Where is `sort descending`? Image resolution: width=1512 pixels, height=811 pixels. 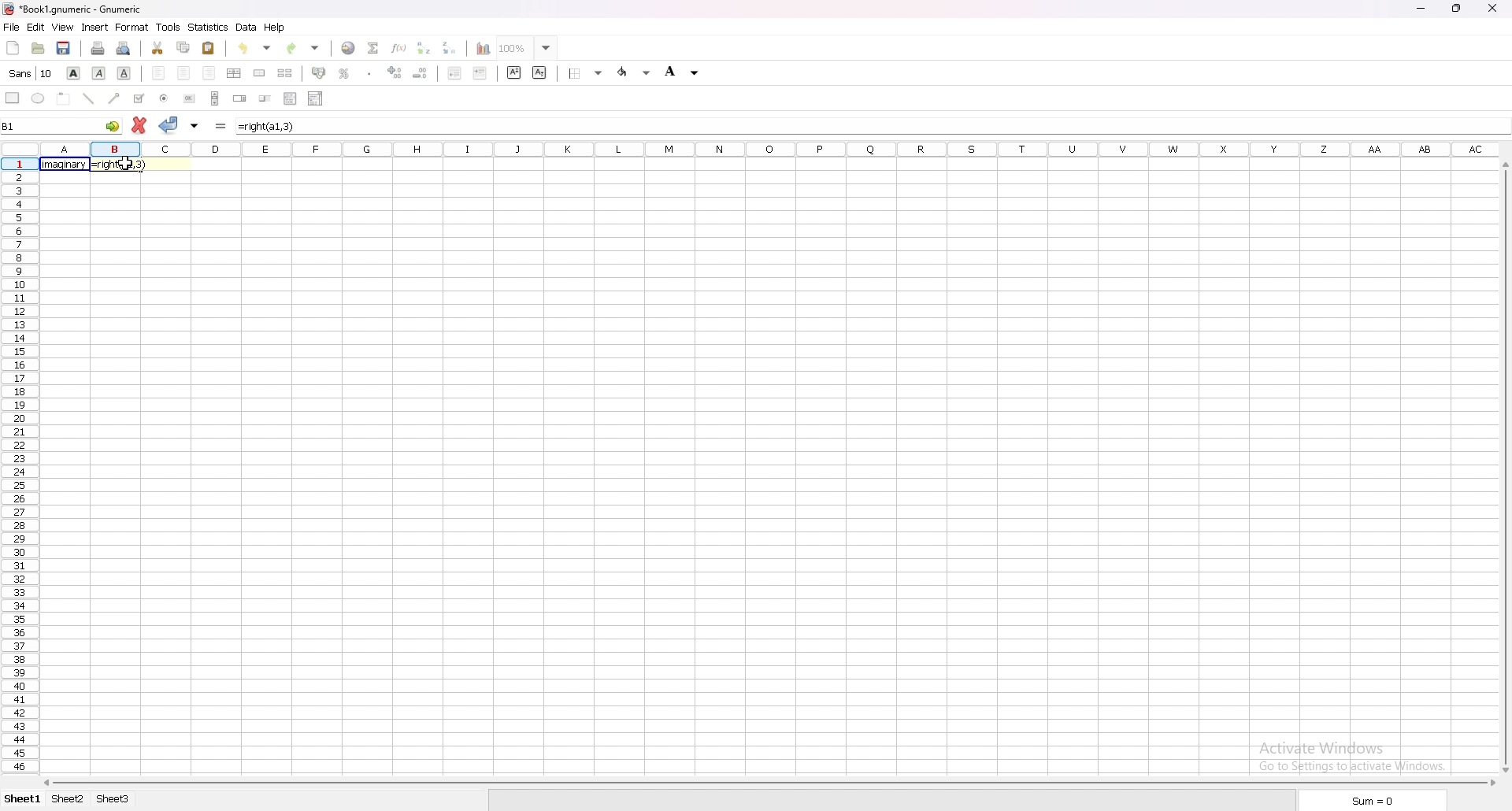 sort descending is located at coordinates (448, 47).